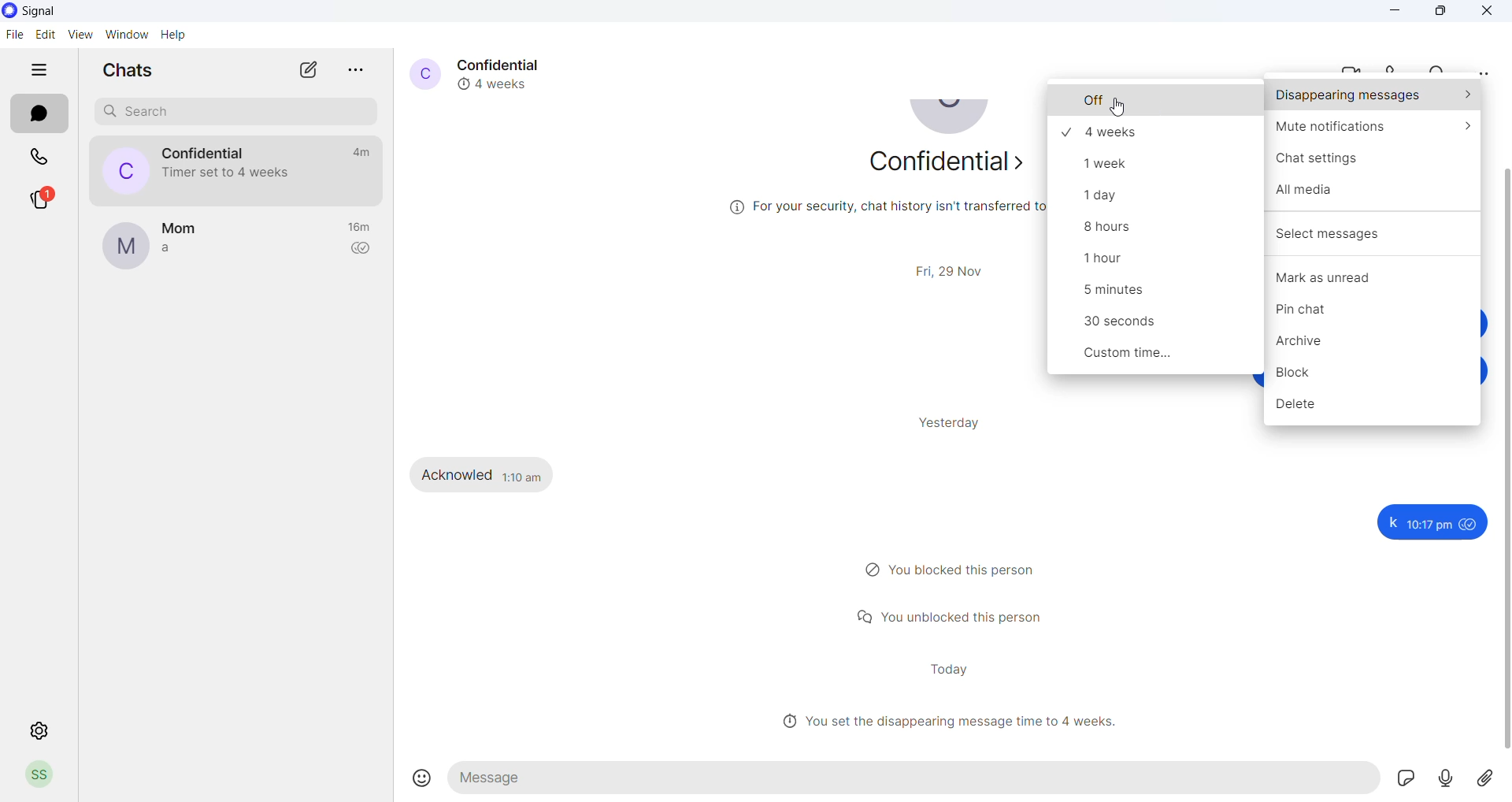 Image resolution: width=1512 pixels, height=802 pixels. Describe the element at coordinates (230, 113) in the screenshot. I see `search chat` at that location.